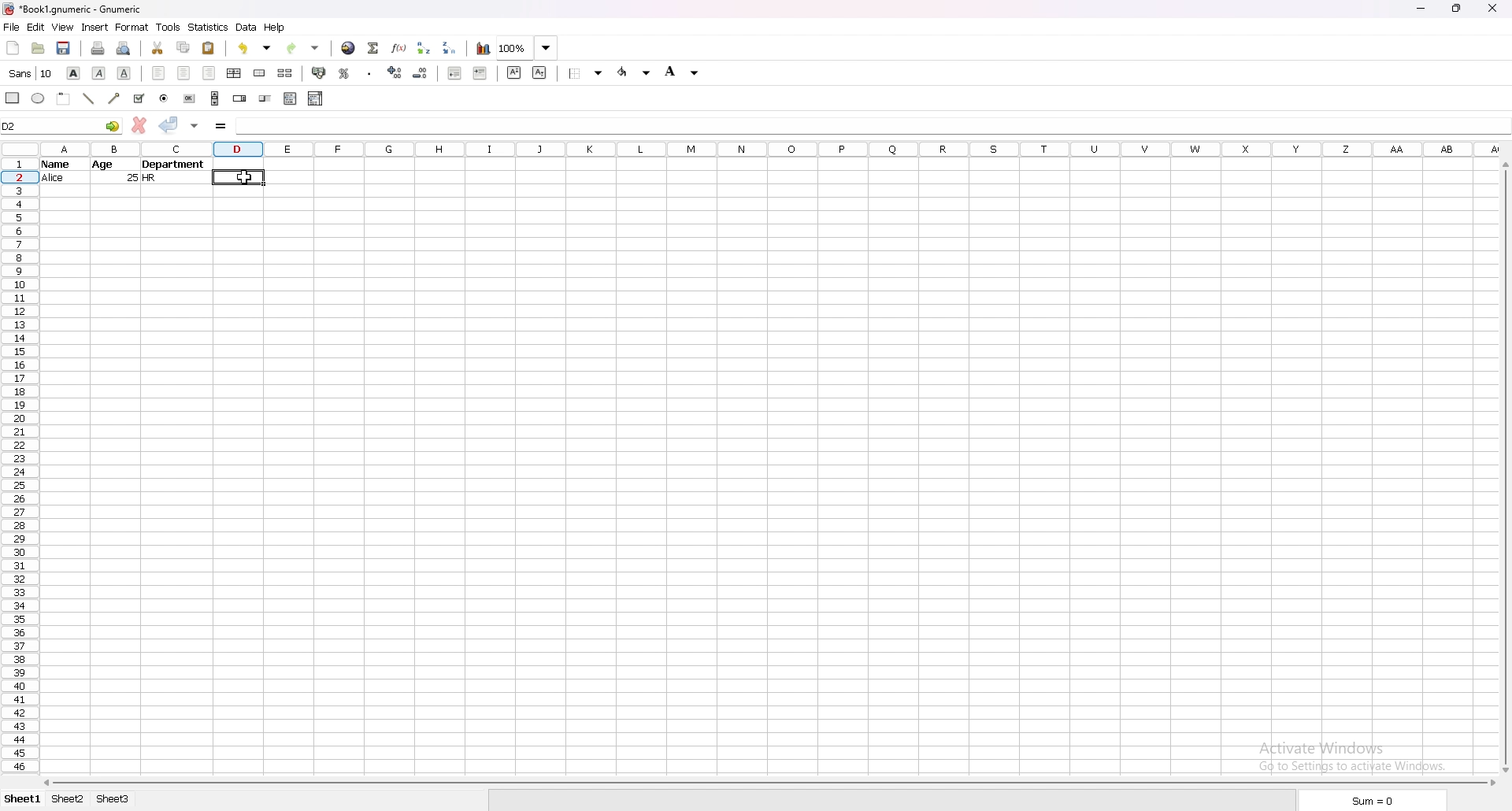 The image size is (1512, 811). Describe the element at coordinates (209, 48) in the screenshot. I see `paste` at that location.